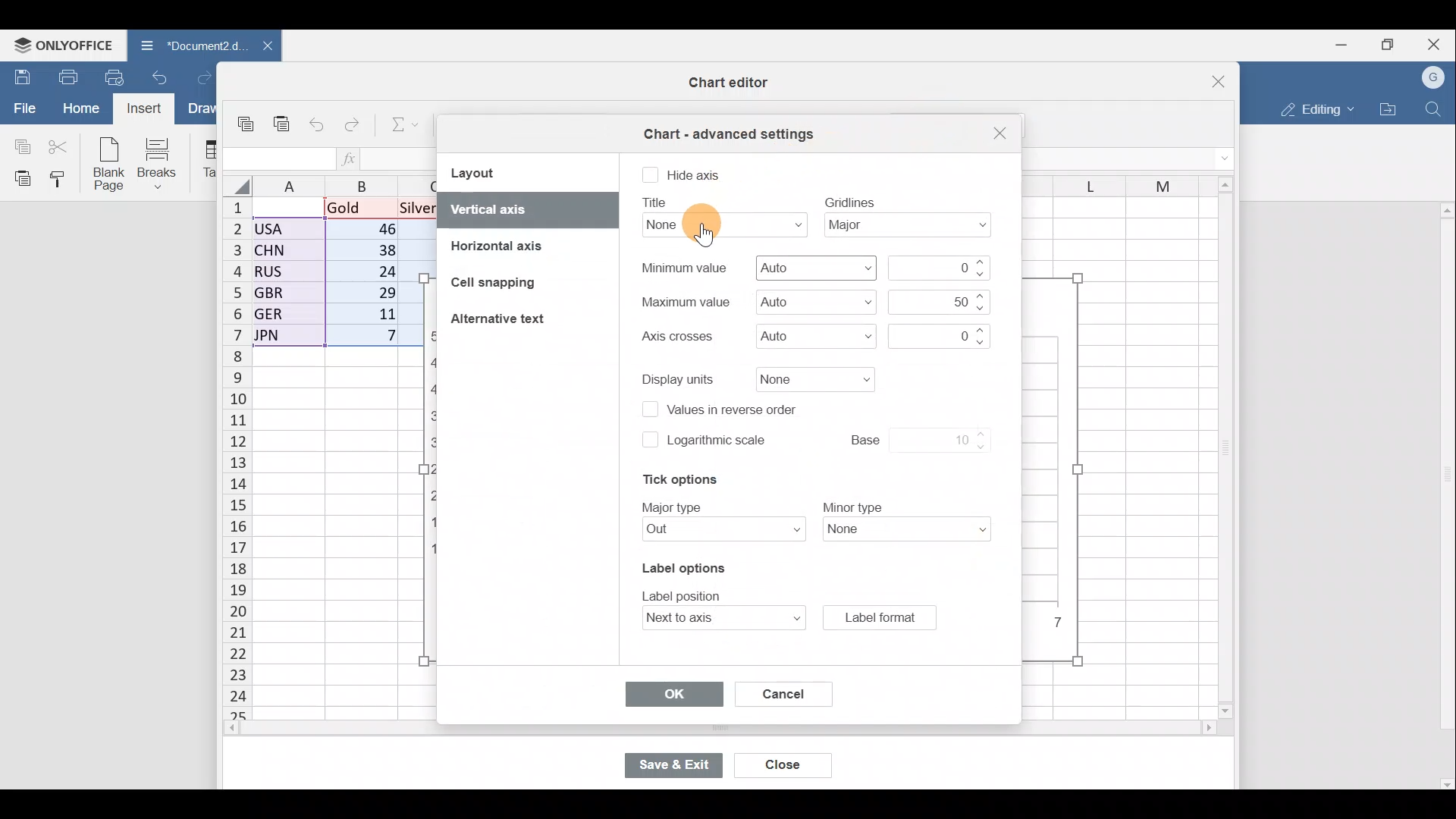 This screenshot has height=819, width=1456. What do you see at coordinates (1444, 495) in the screenshot?
I see `Scroll bar` at bounding box center [1444, 495].